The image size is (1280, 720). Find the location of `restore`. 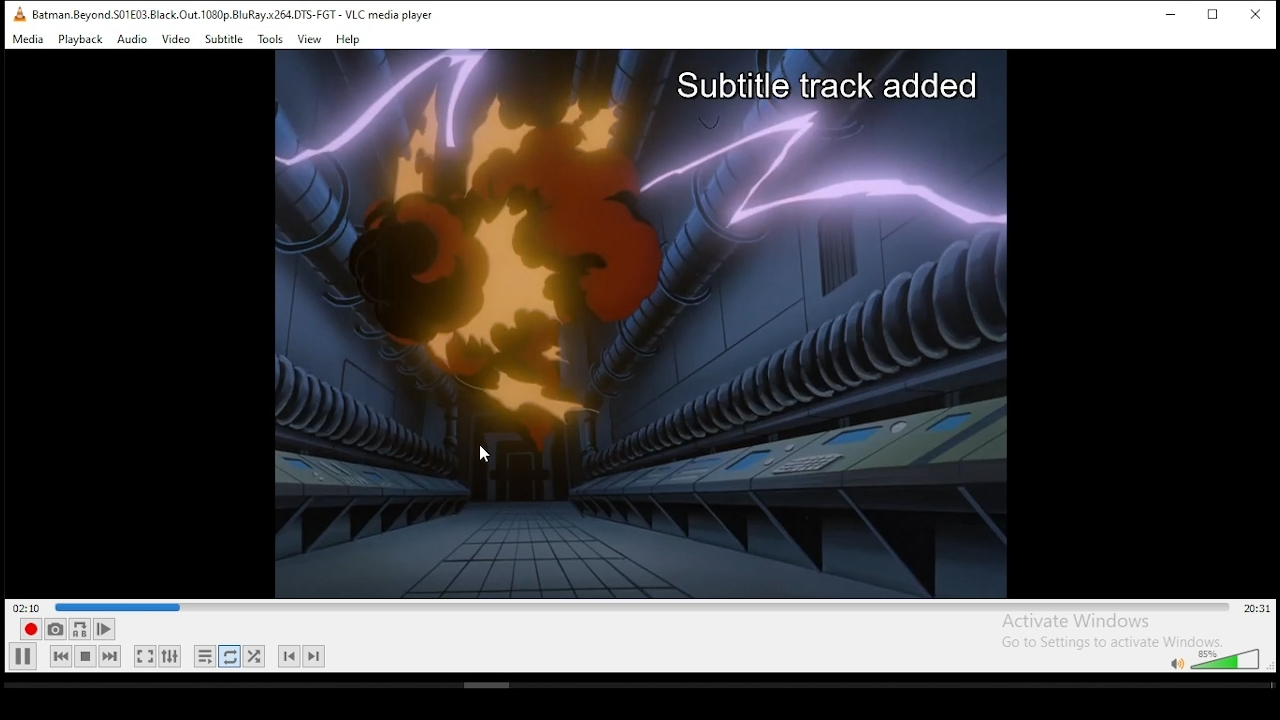

restore is located at coordinates (1215, 15).